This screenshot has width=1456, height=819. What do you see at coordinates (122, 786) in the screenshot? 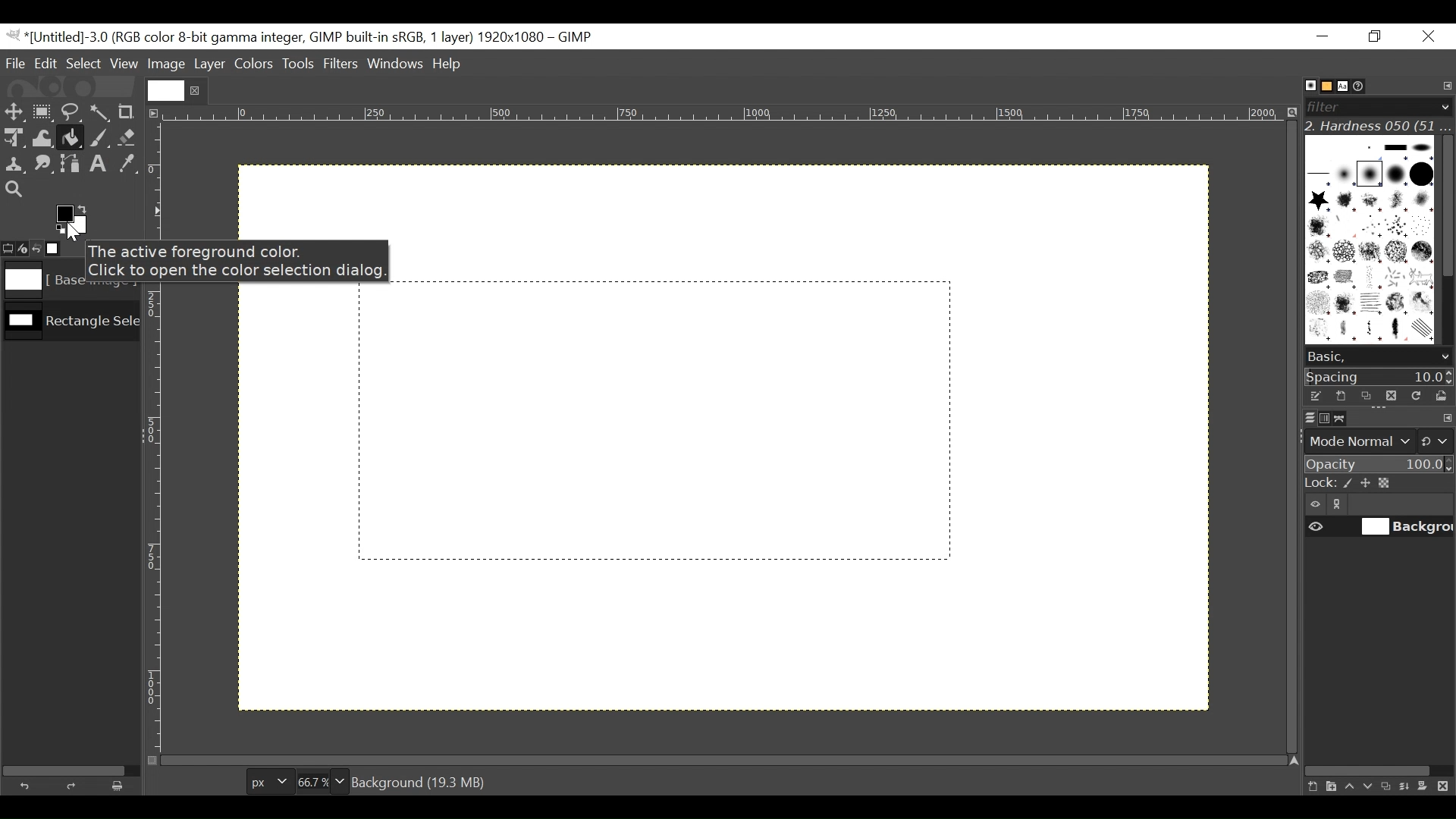
I see `Clear button` at bounding box center [122, 786].